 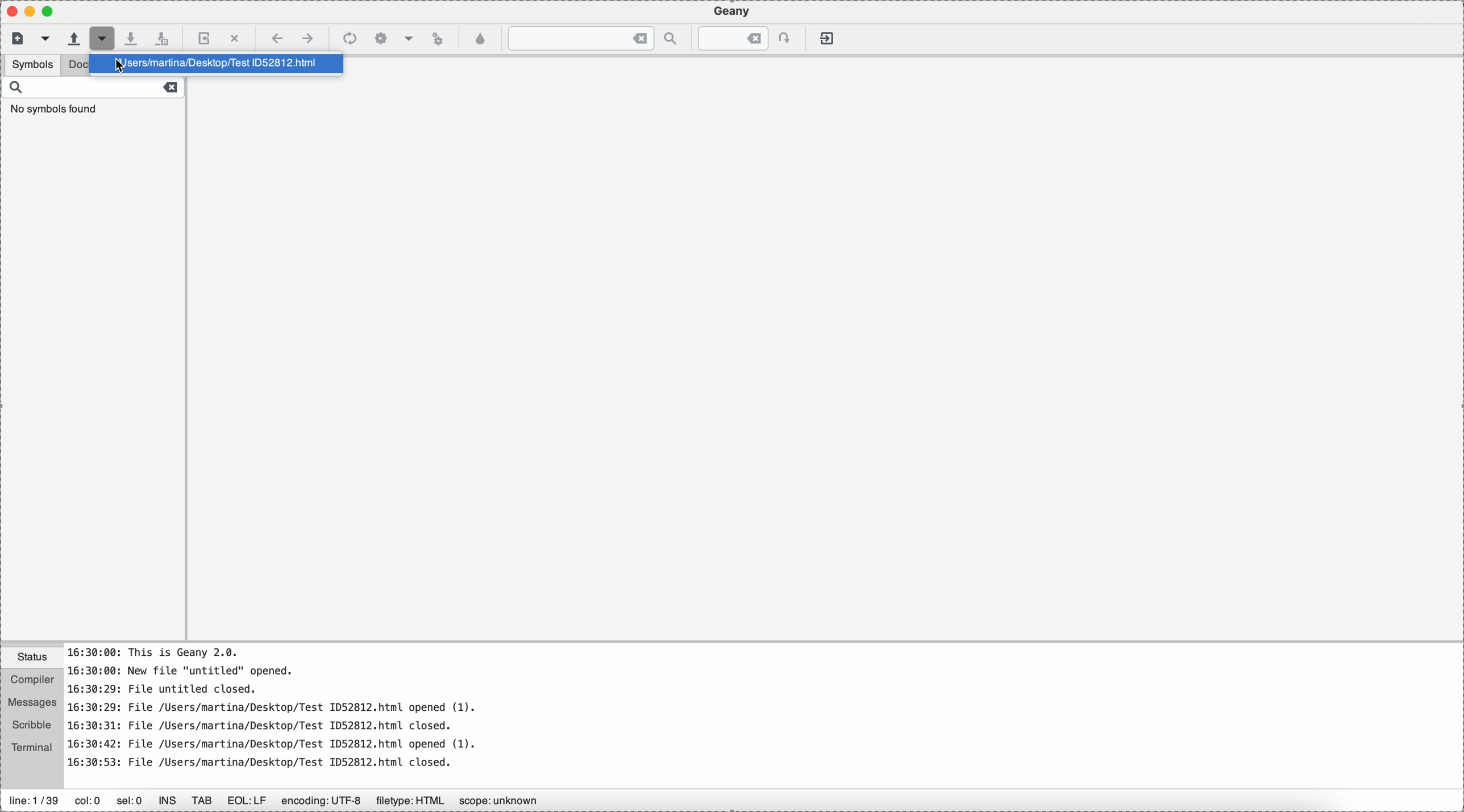 What do you see at coordinates (394, 38) in the screenshot?
I see `build the current file` at bounding box center [394, 38].